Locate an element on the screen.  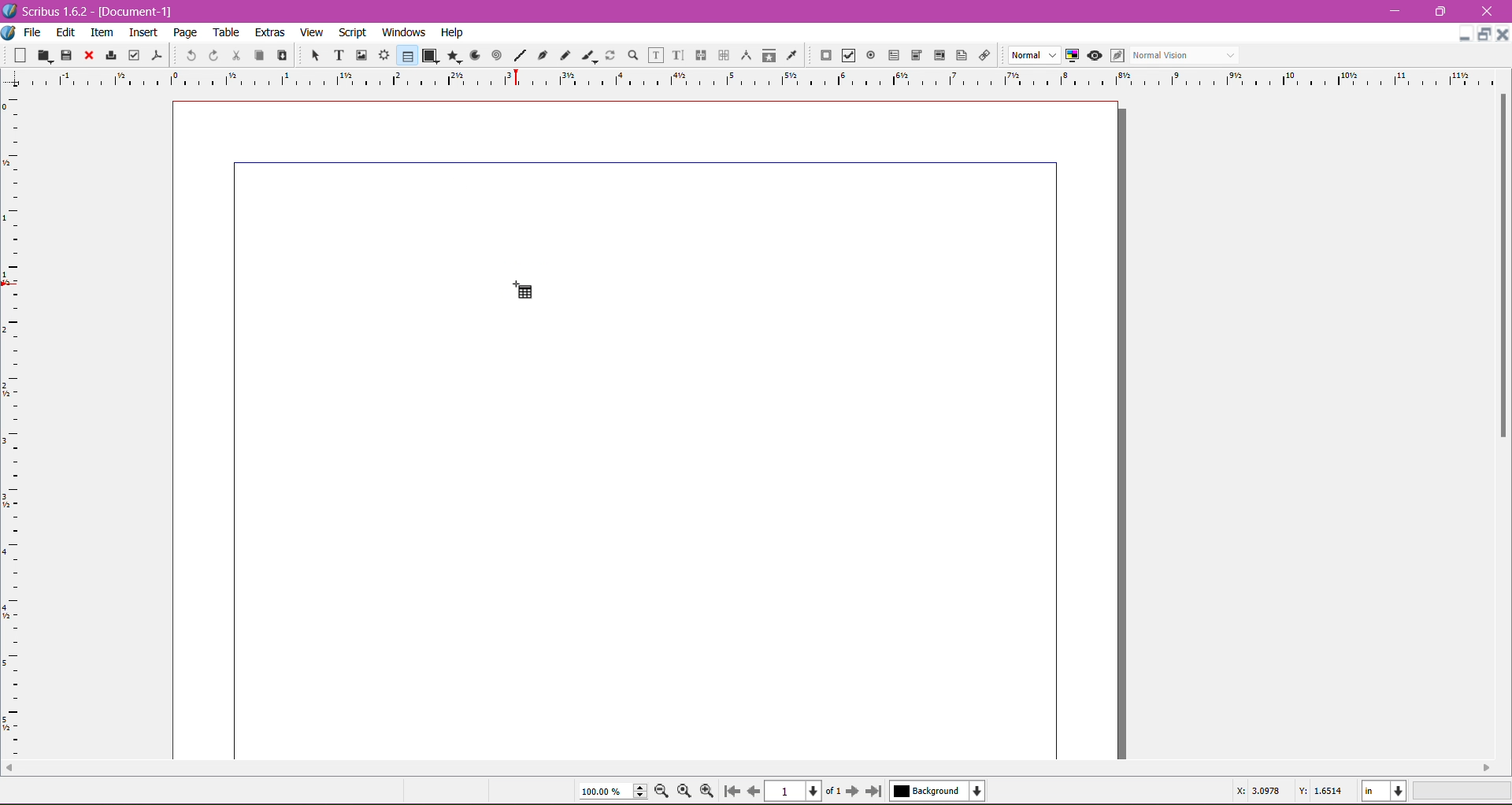
Bezier Curve is located at coordinates (541, 54).